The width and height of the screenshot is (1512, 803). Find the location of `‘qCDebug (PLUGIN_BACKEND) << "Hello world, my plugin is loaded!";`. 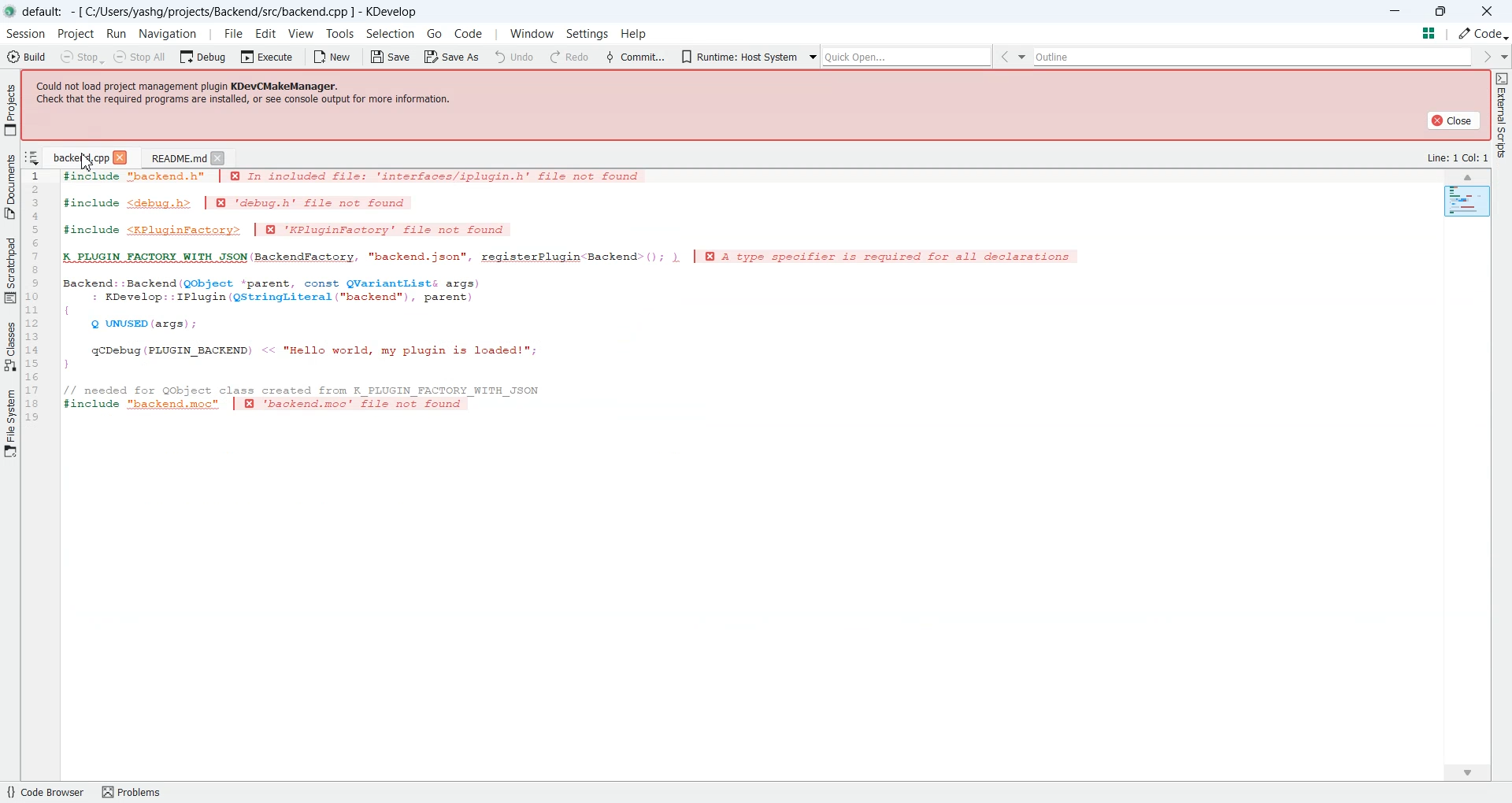

‘qCDebug (PLUGIN_BACKEND) << "Hello world, my plugin is loaded!"; is located at coordinates (318, 353).